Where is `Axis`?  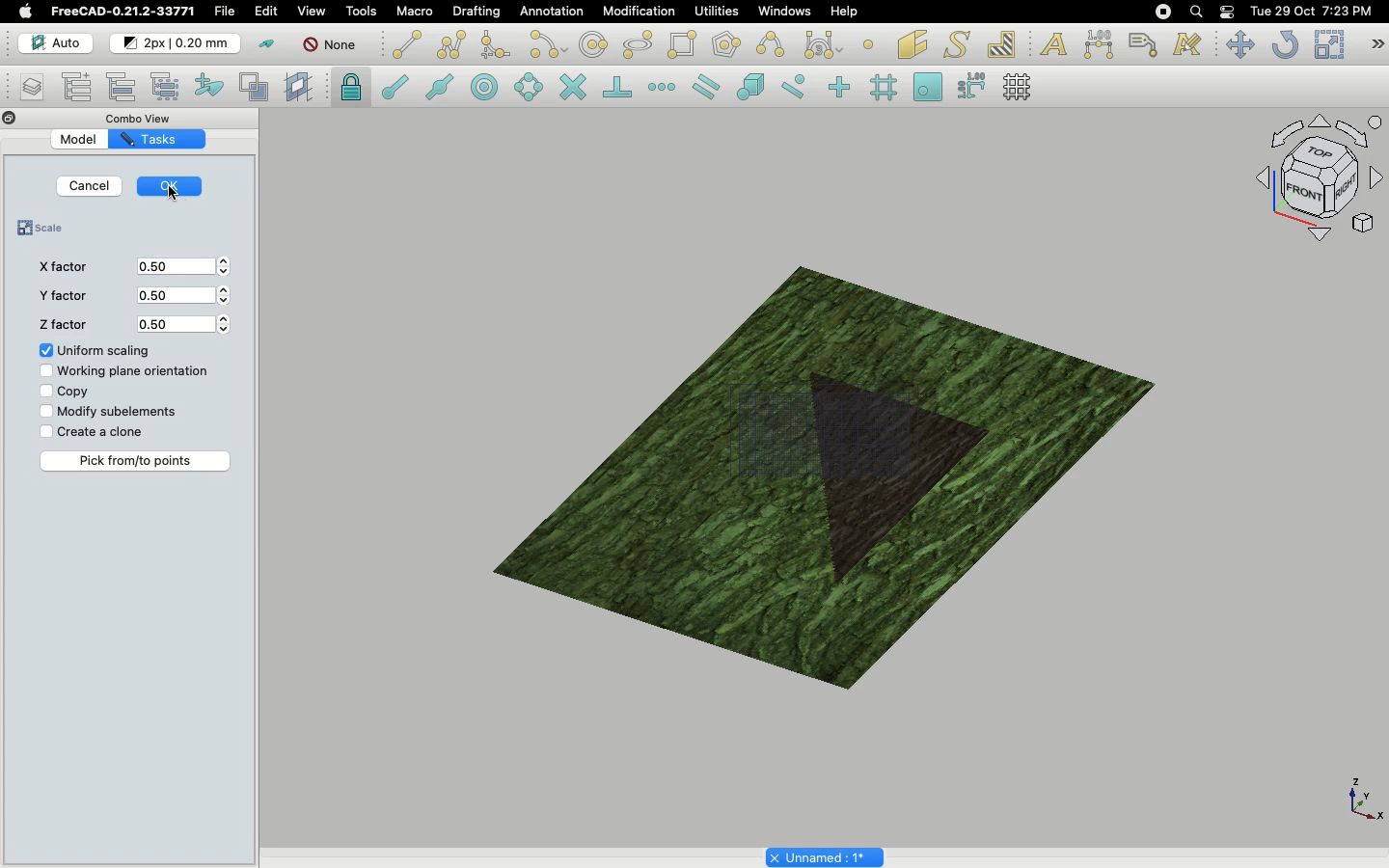 Axis is located at coordinates (1362, 799).